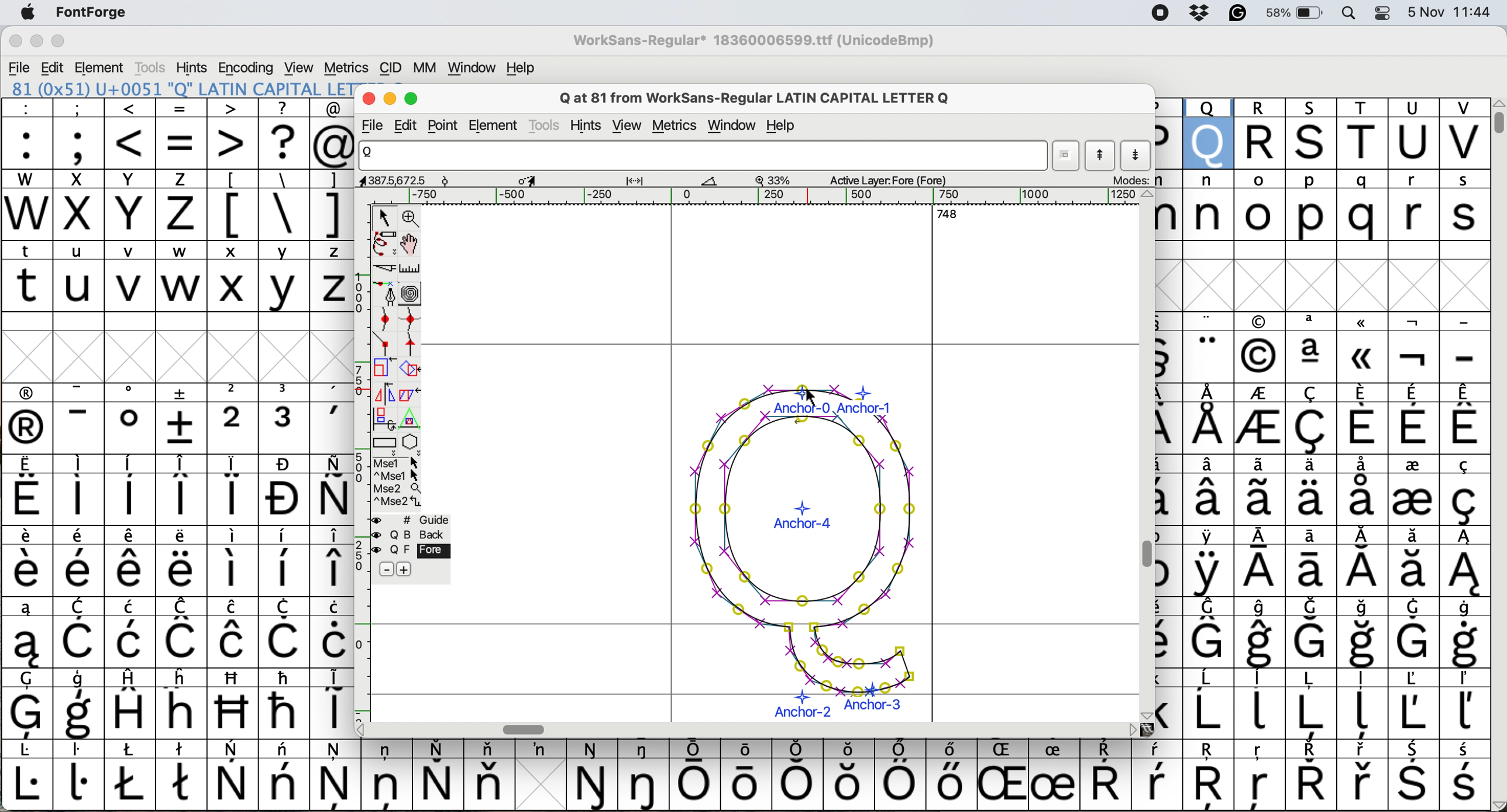 This screenshot has height=812, width=1507. Describe the element at coordinates (1103, 158) in the screenshot. I see `show previous letter` at that location.